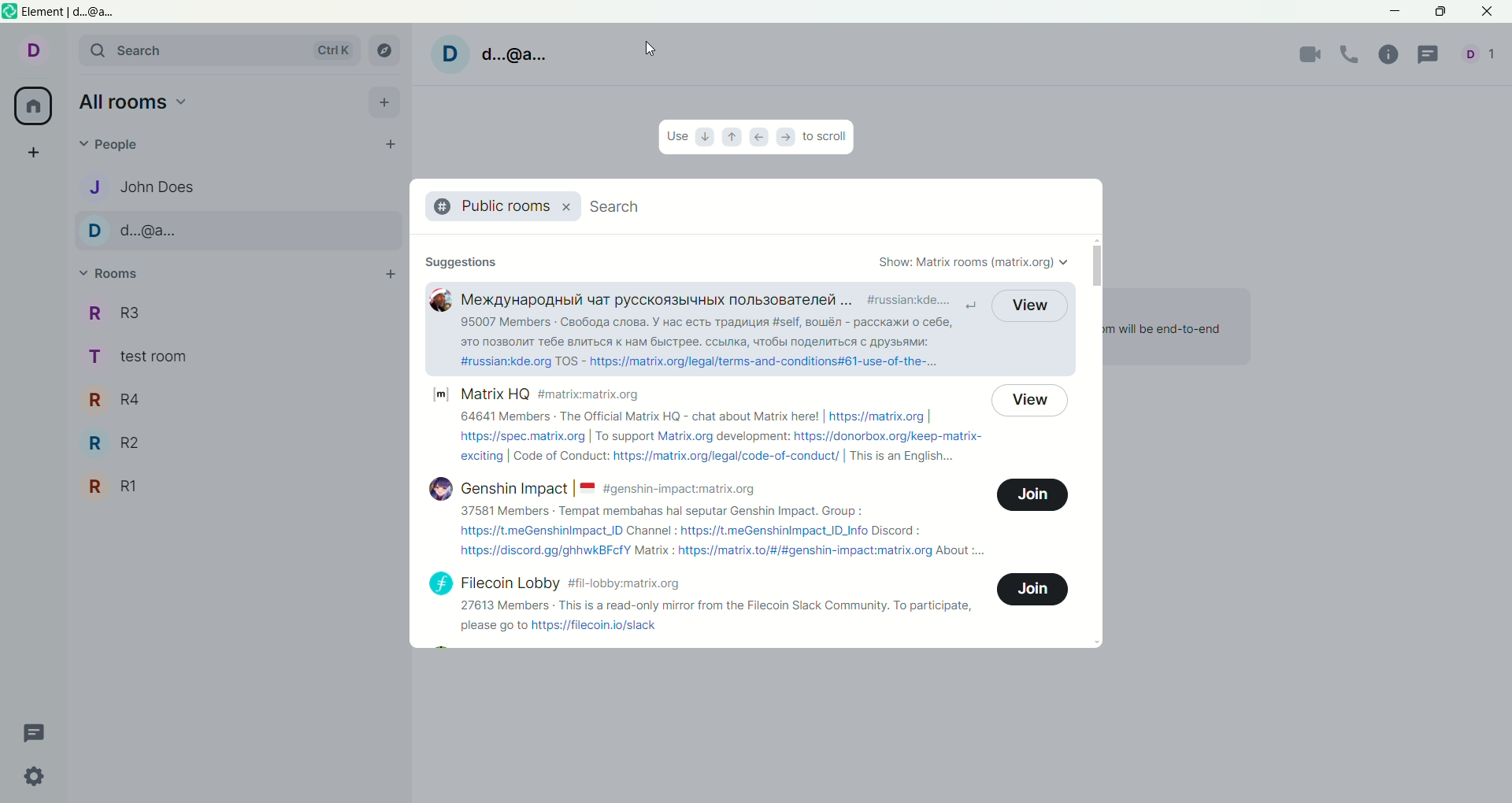 This screenshot has height=803, width=1512. Describe the element at coordinates (506, 361) in the screenshot. I see `#russian:kde.org` at that location.